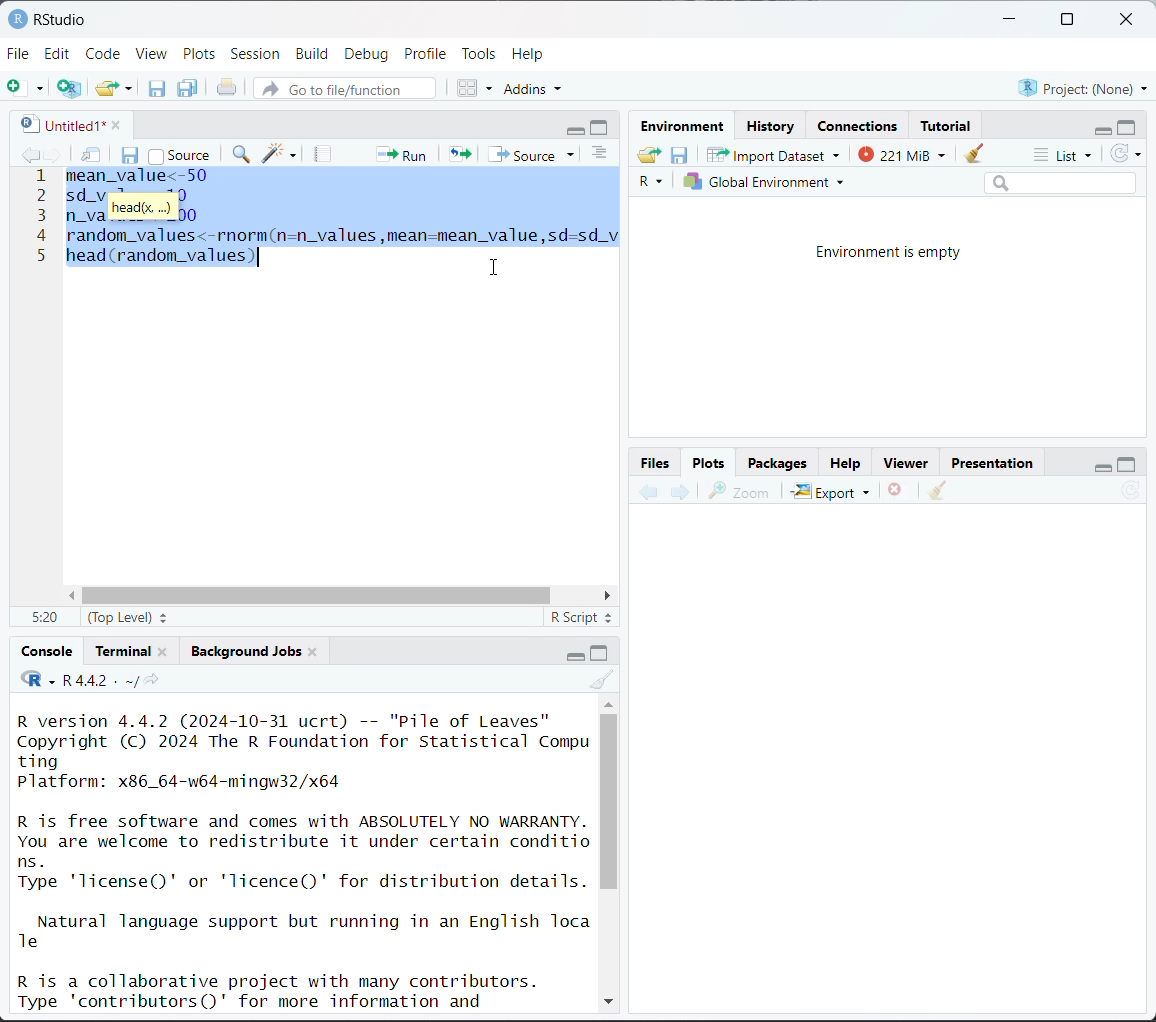 The image size is (1156, 1022). What do you see at coordinates (607, 998) in the screenshot?
I see `down` at bounding box center [607, 998].